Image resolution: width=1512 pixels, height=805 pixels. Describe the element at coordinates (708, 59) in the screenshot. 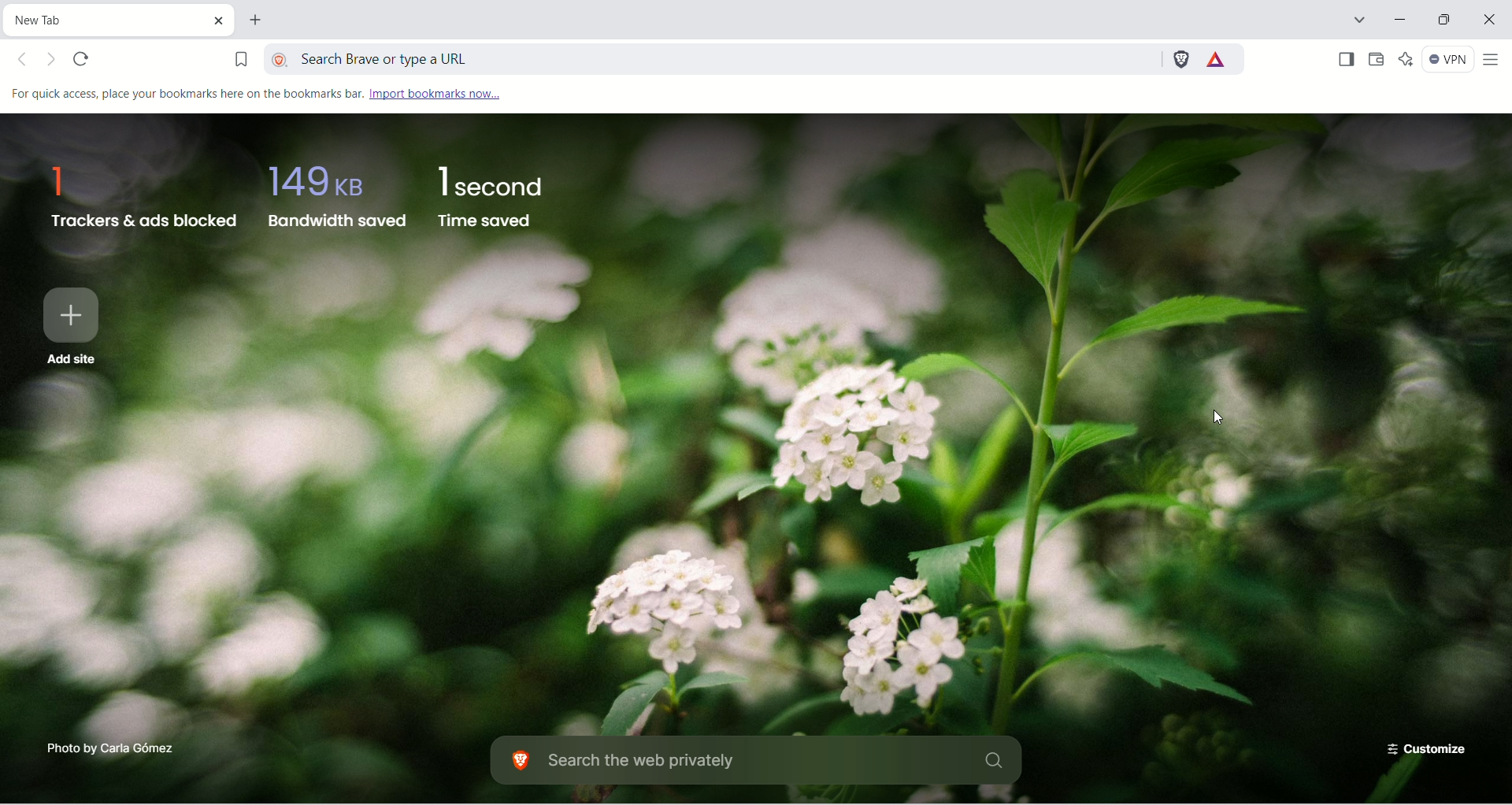

I see `Search Brave or type a URL` at that location.